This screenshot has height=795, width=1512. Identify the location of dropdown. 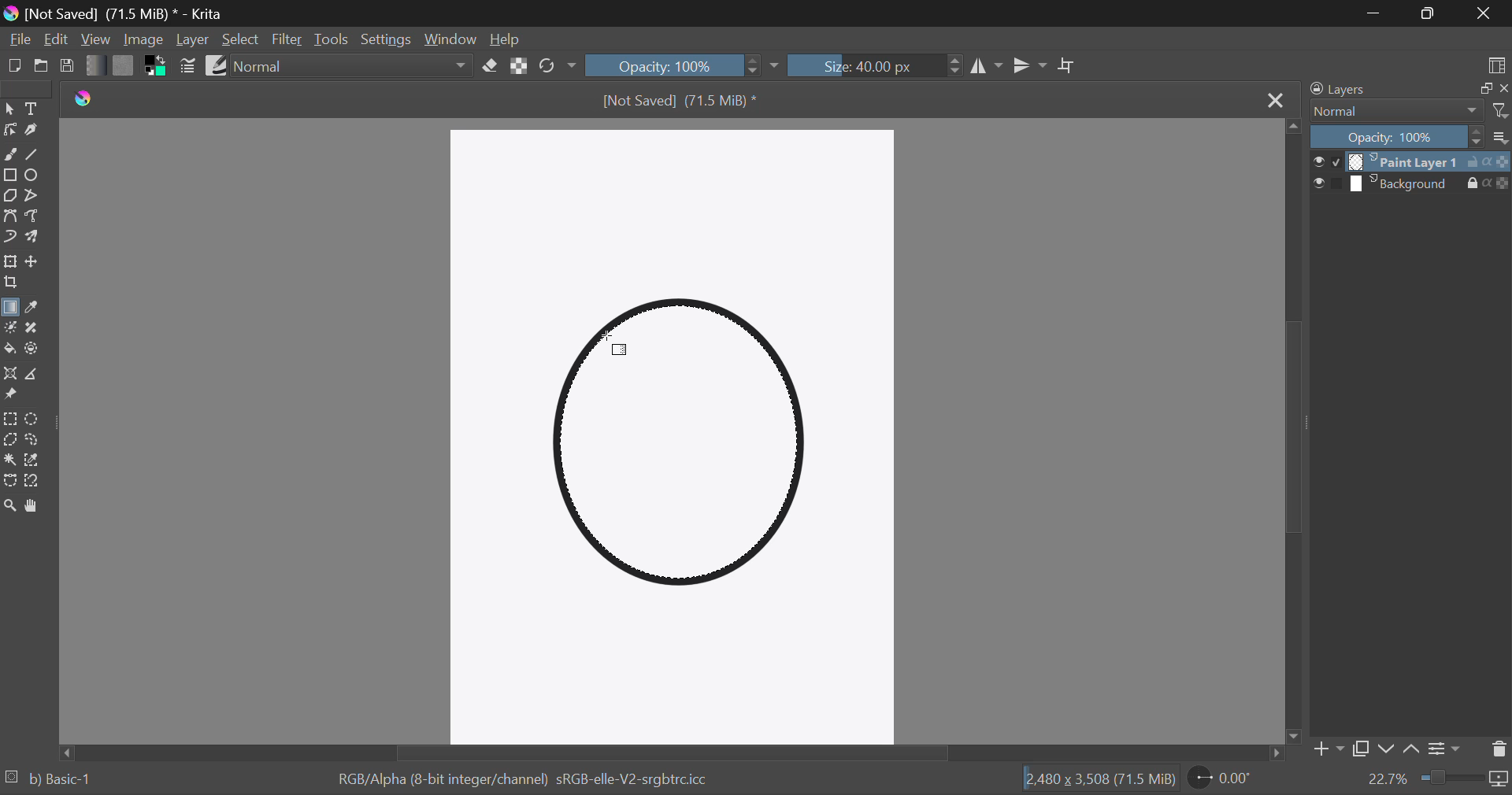
(776, 67).